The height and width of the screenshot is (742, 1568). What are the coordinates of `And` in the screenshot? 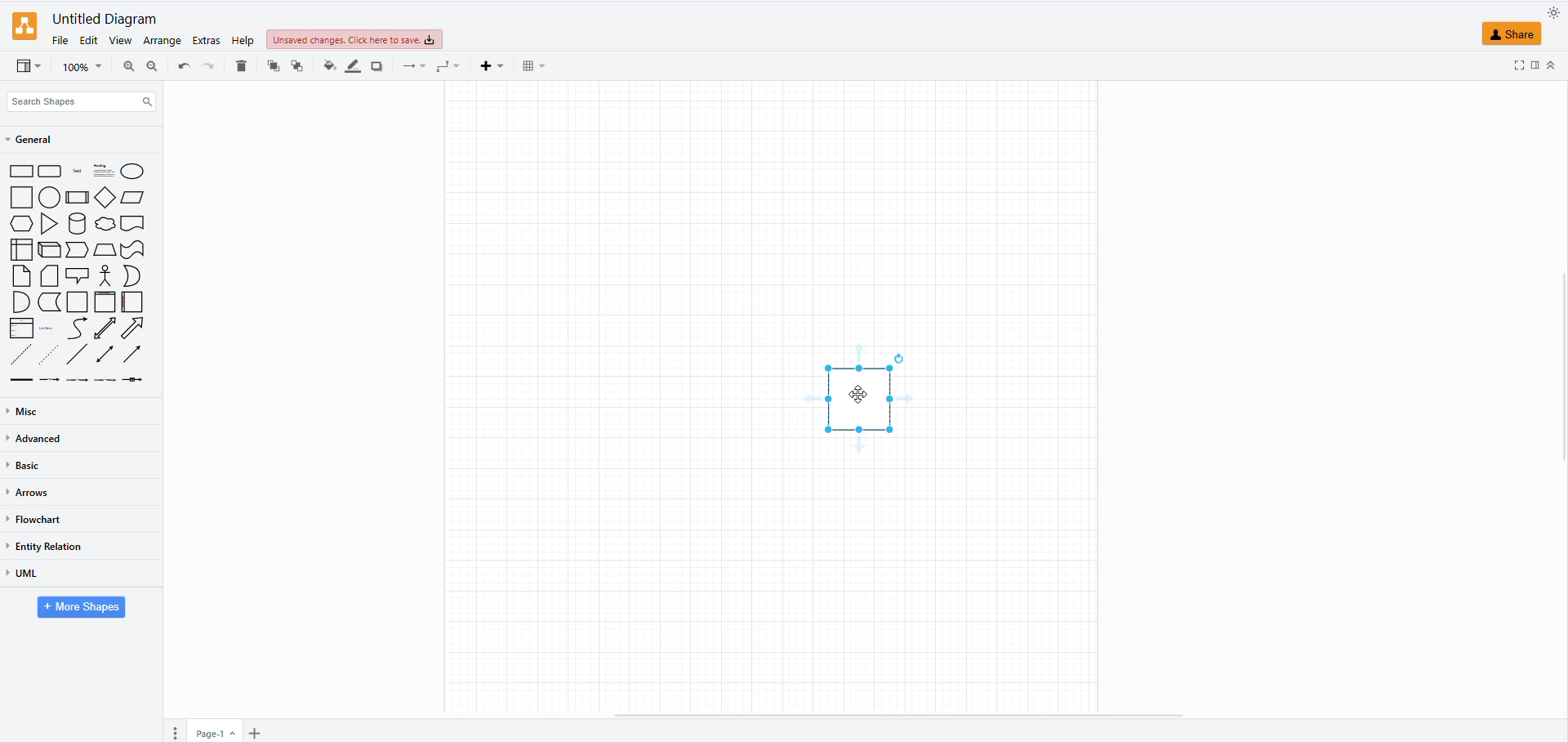 It's located at (22, 302).